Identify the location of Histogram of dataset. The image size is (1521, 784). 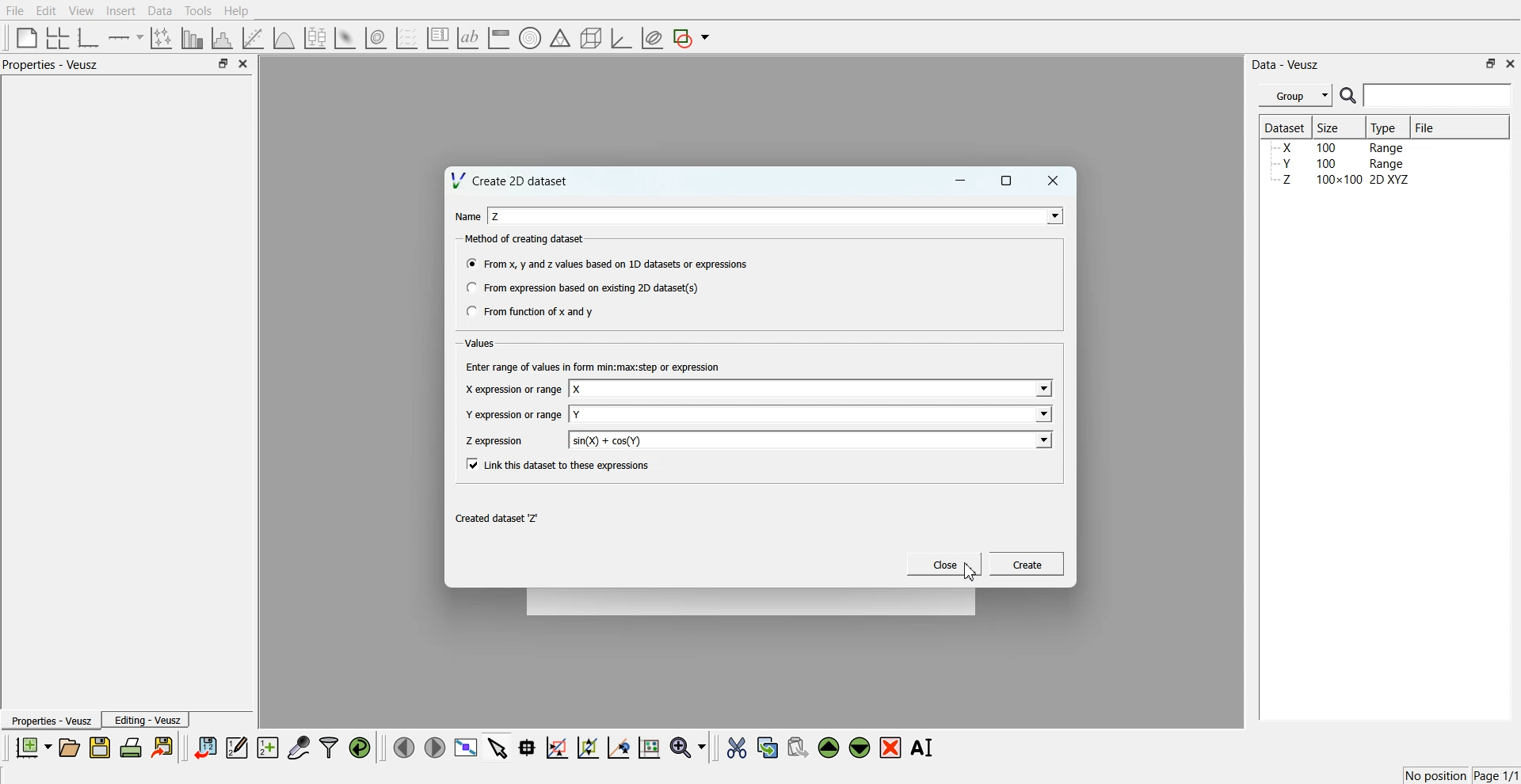
(220, 39).